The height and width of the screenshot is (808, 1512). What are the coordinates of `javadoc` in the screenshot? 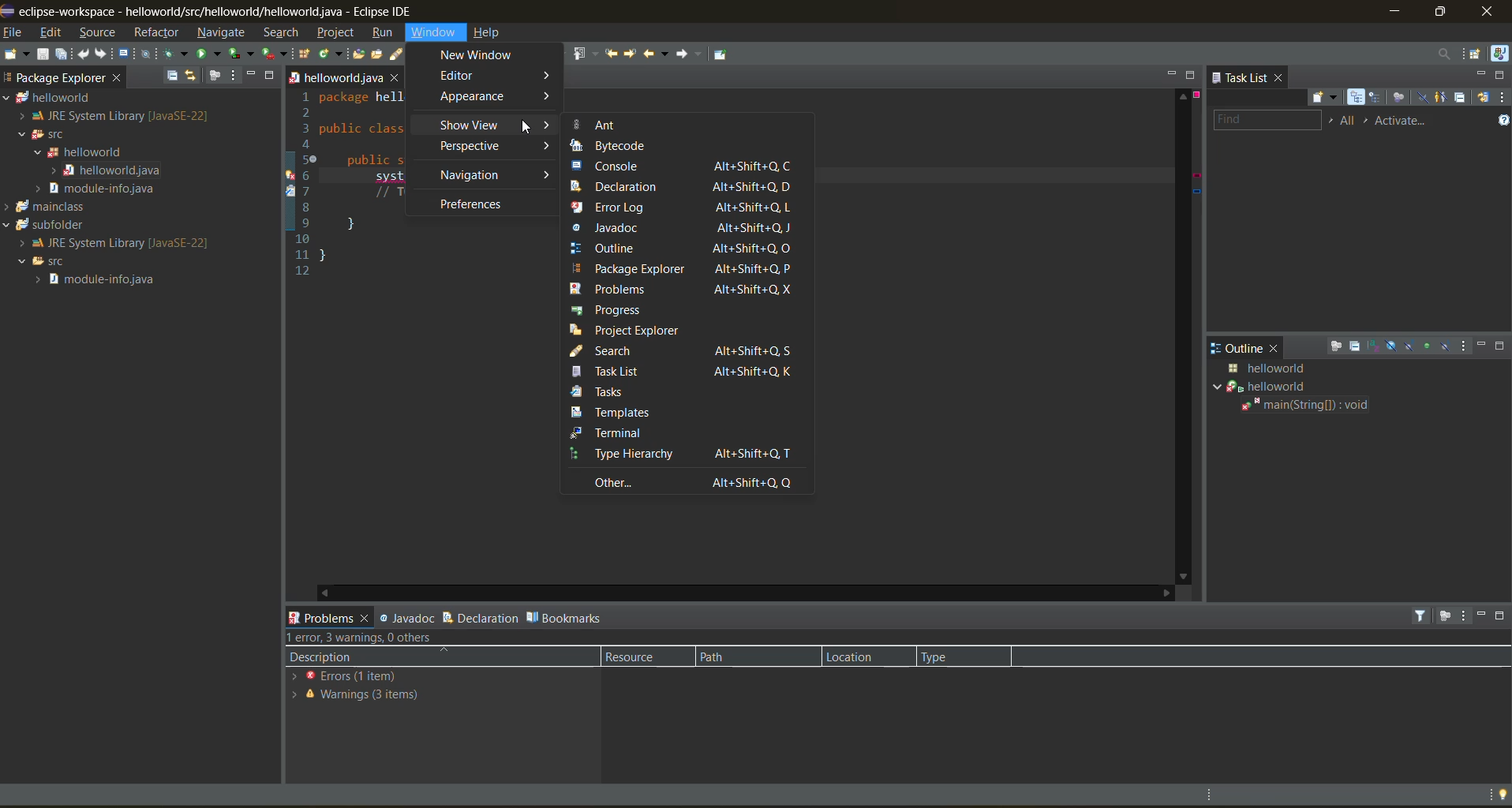 It's located at (684, 226).